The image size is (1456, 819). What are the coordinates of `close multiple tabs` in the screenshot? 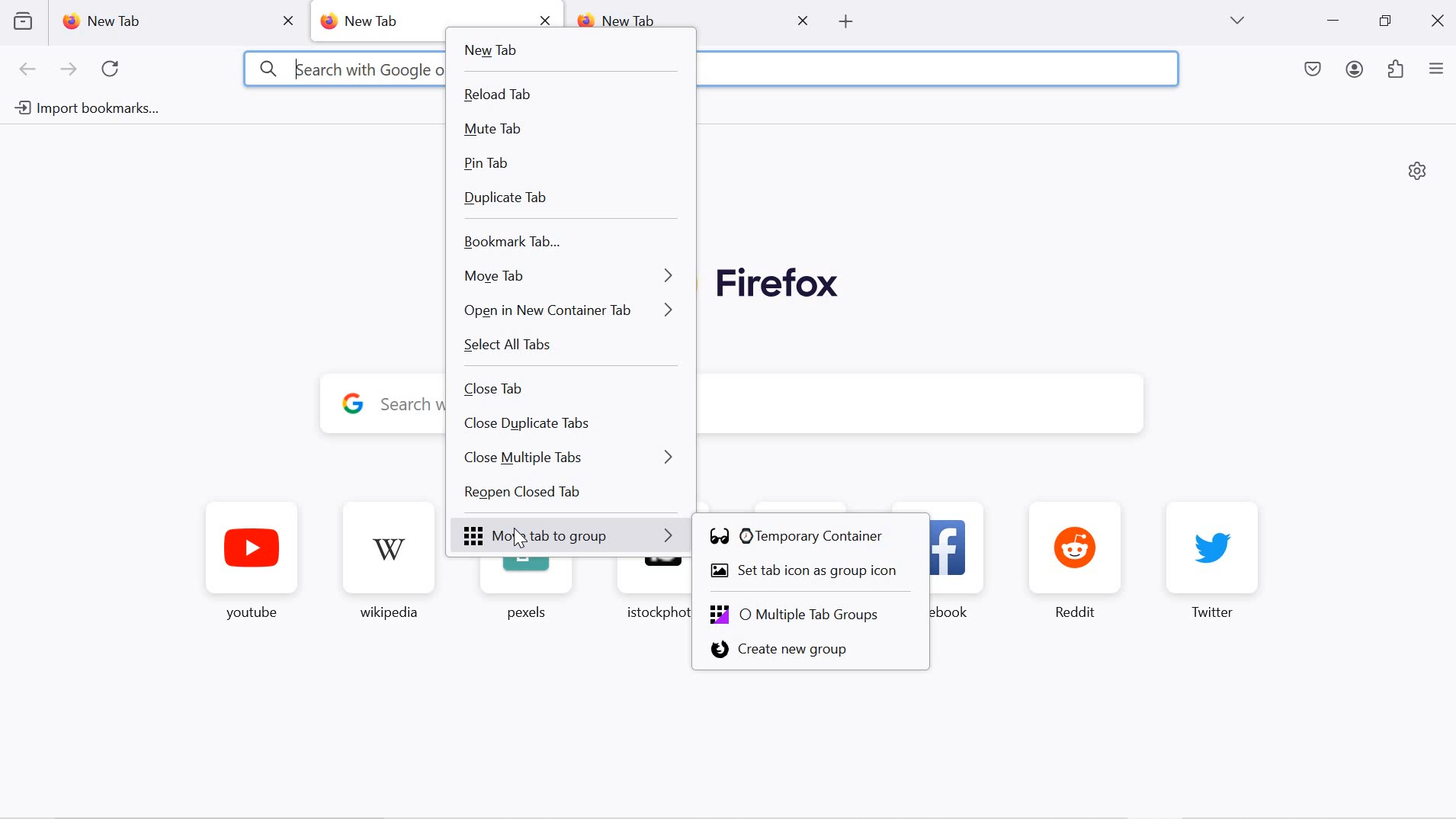 It's located at (573, 461).